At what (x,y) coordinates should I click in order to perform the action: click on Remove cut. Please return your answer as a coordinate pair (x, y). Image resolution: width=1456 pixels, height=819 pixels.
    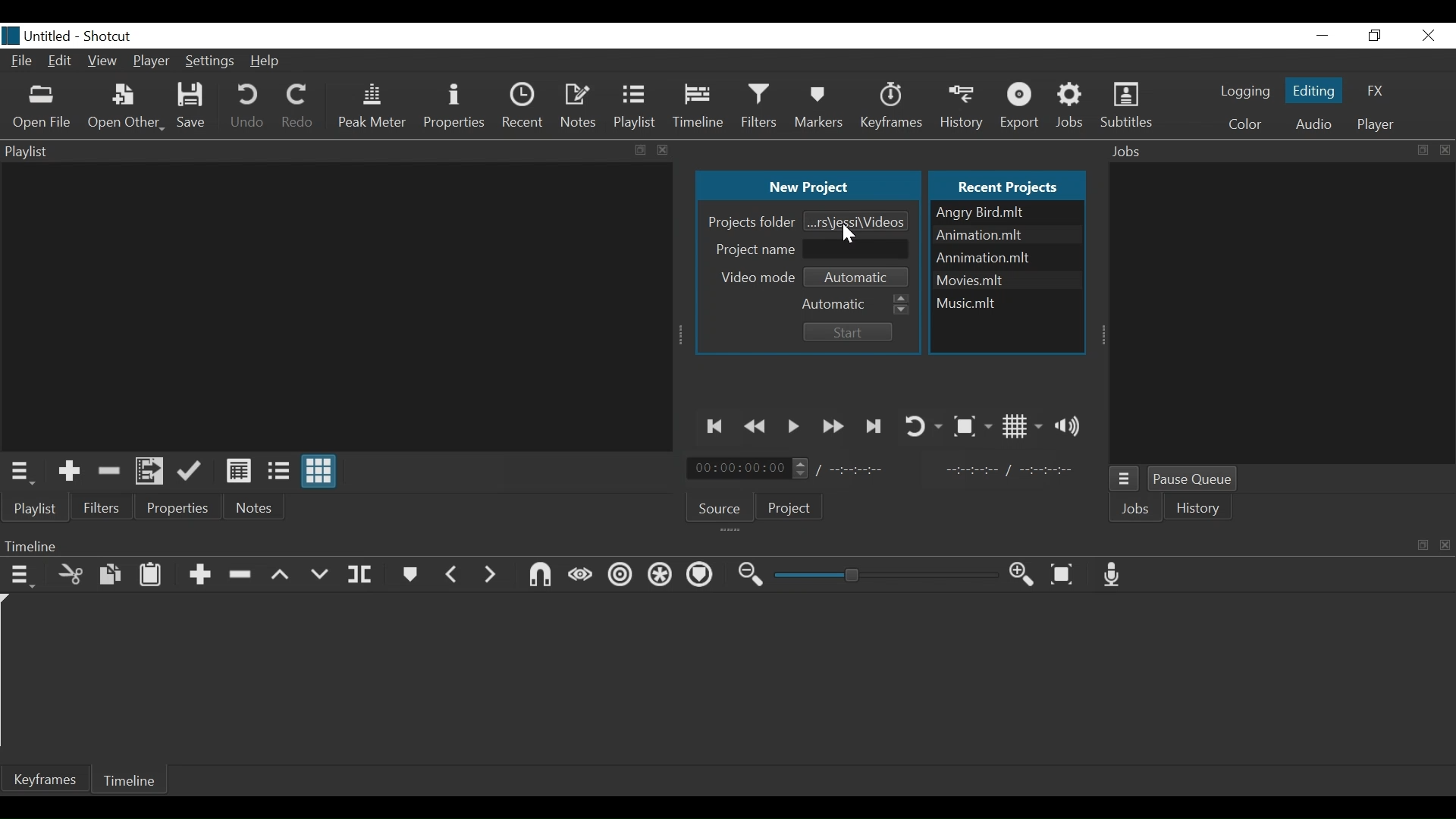
    Looking at the image, I should click on (108, 470).